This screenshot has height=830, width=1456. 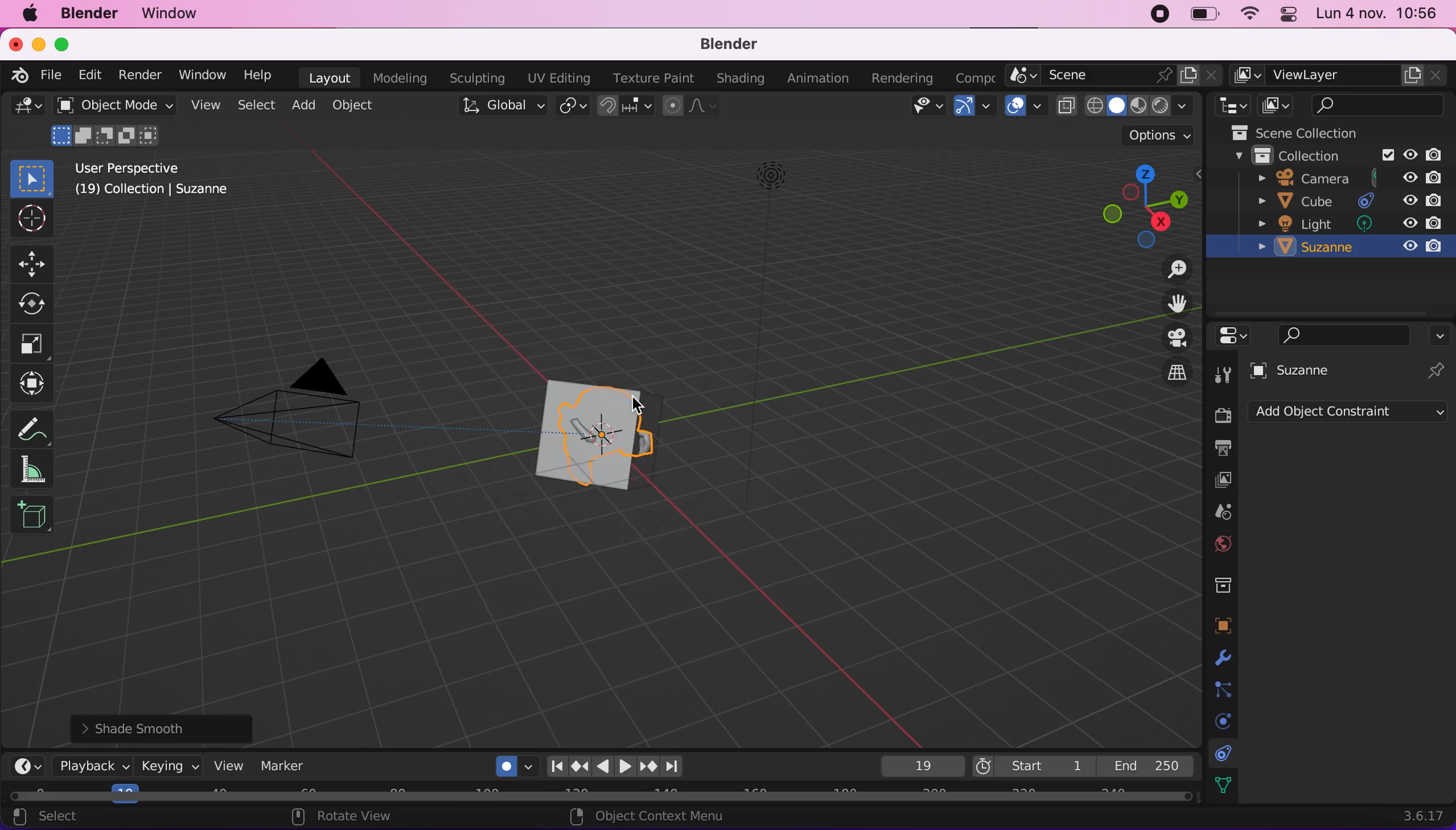 I want to click on object, so click(x=355, y=105).